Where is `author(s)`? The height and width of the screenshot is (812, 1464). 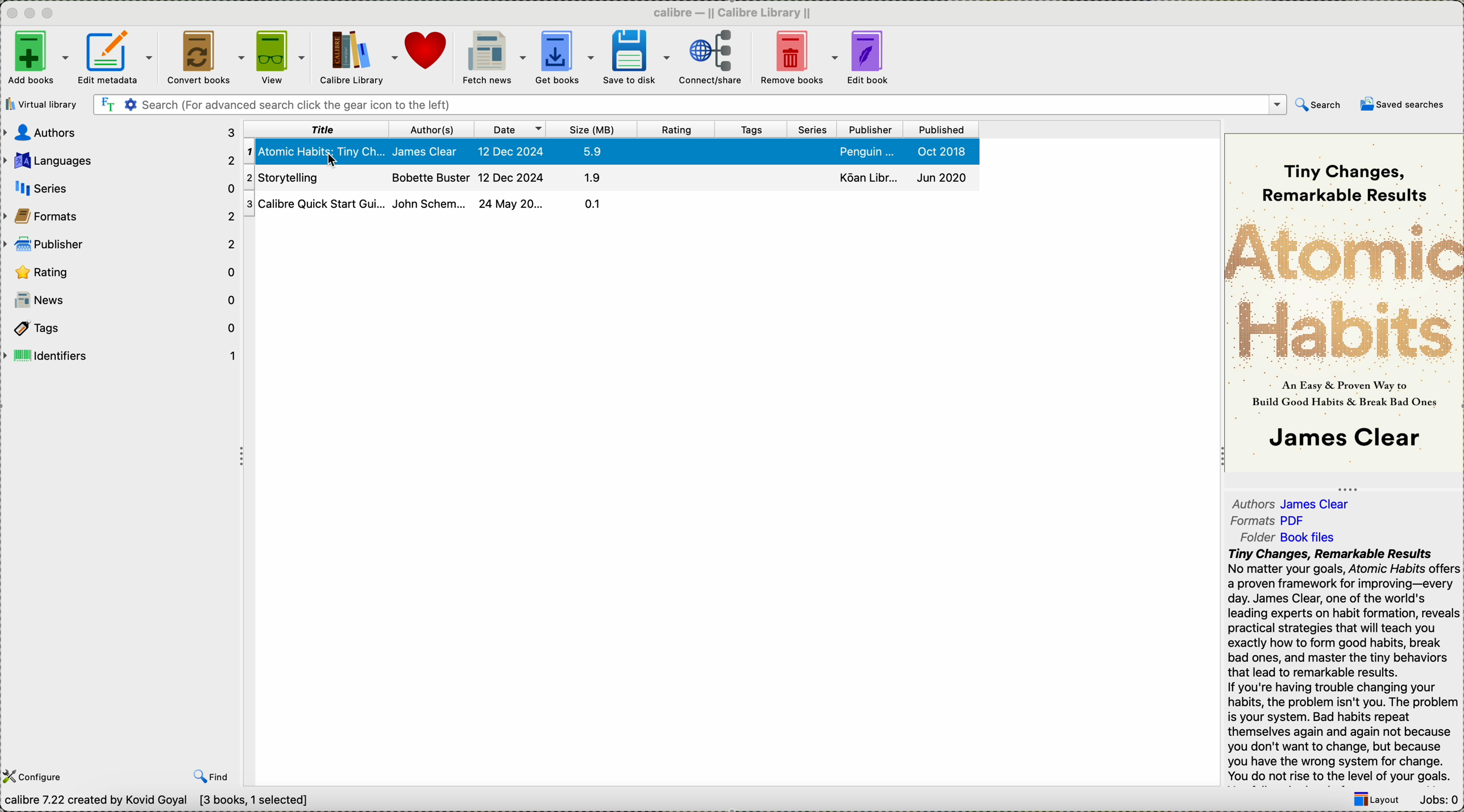 author(s) is located at coordinates (430, 130).